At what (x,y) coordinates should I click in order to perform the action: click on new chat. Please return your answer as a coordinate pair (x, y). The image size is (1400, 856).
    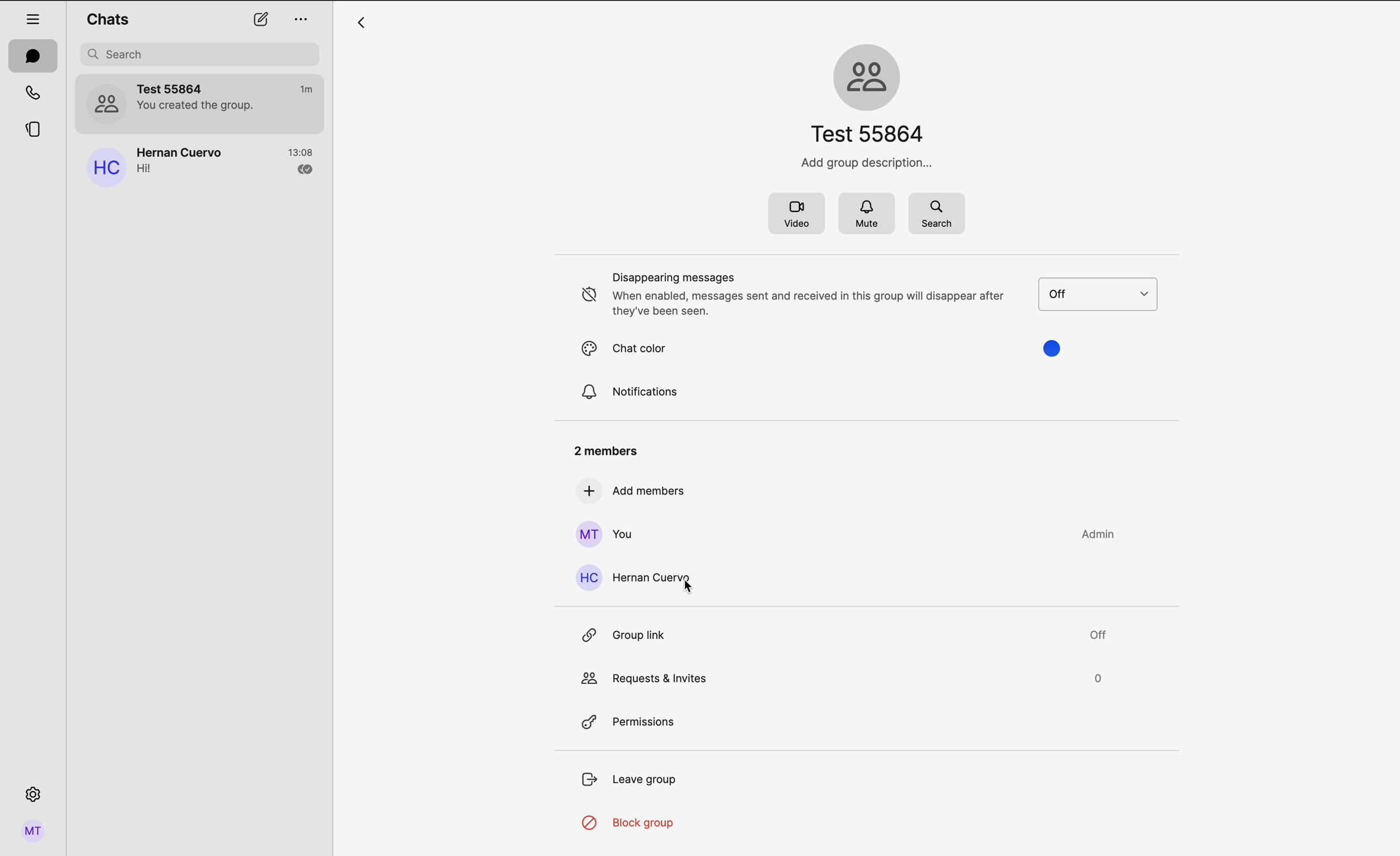
    Looking at the image, I should click on (260, 21).